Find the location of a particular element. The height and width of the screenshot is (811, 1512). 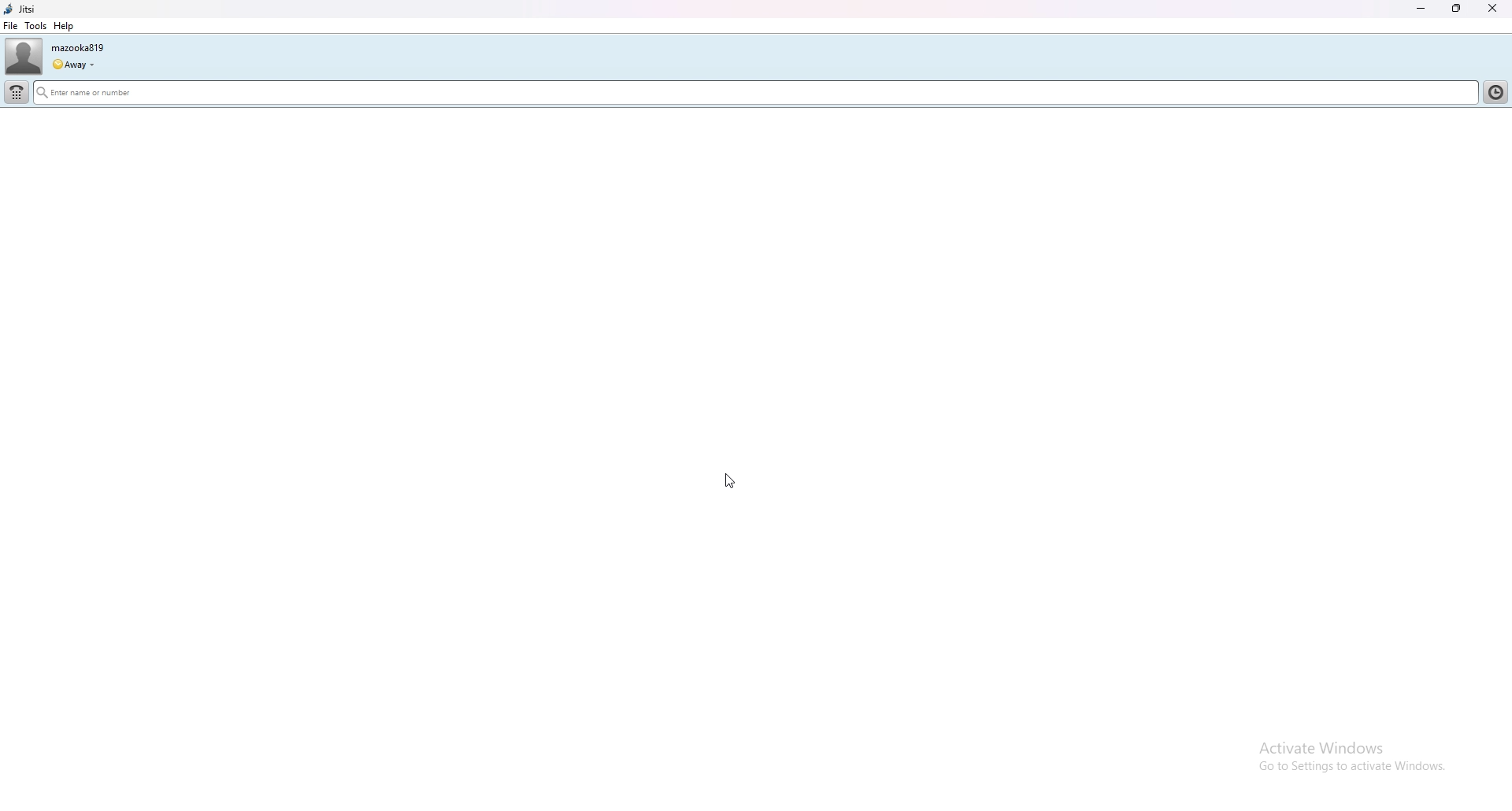

help is located at coordinates (62, 26).